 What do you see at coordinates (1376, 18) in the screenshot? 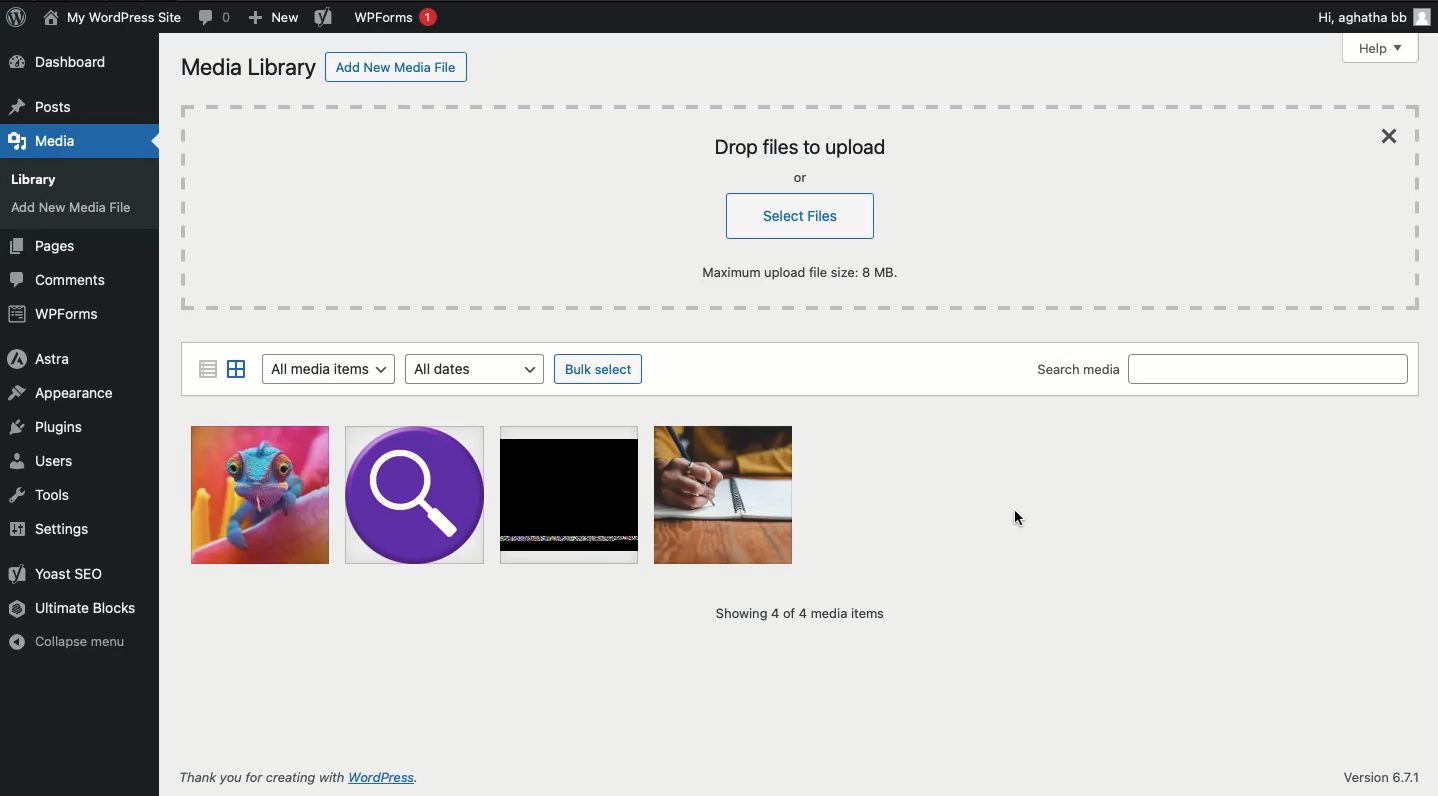
I see `Hi users` at bounding box center [1376, 18].